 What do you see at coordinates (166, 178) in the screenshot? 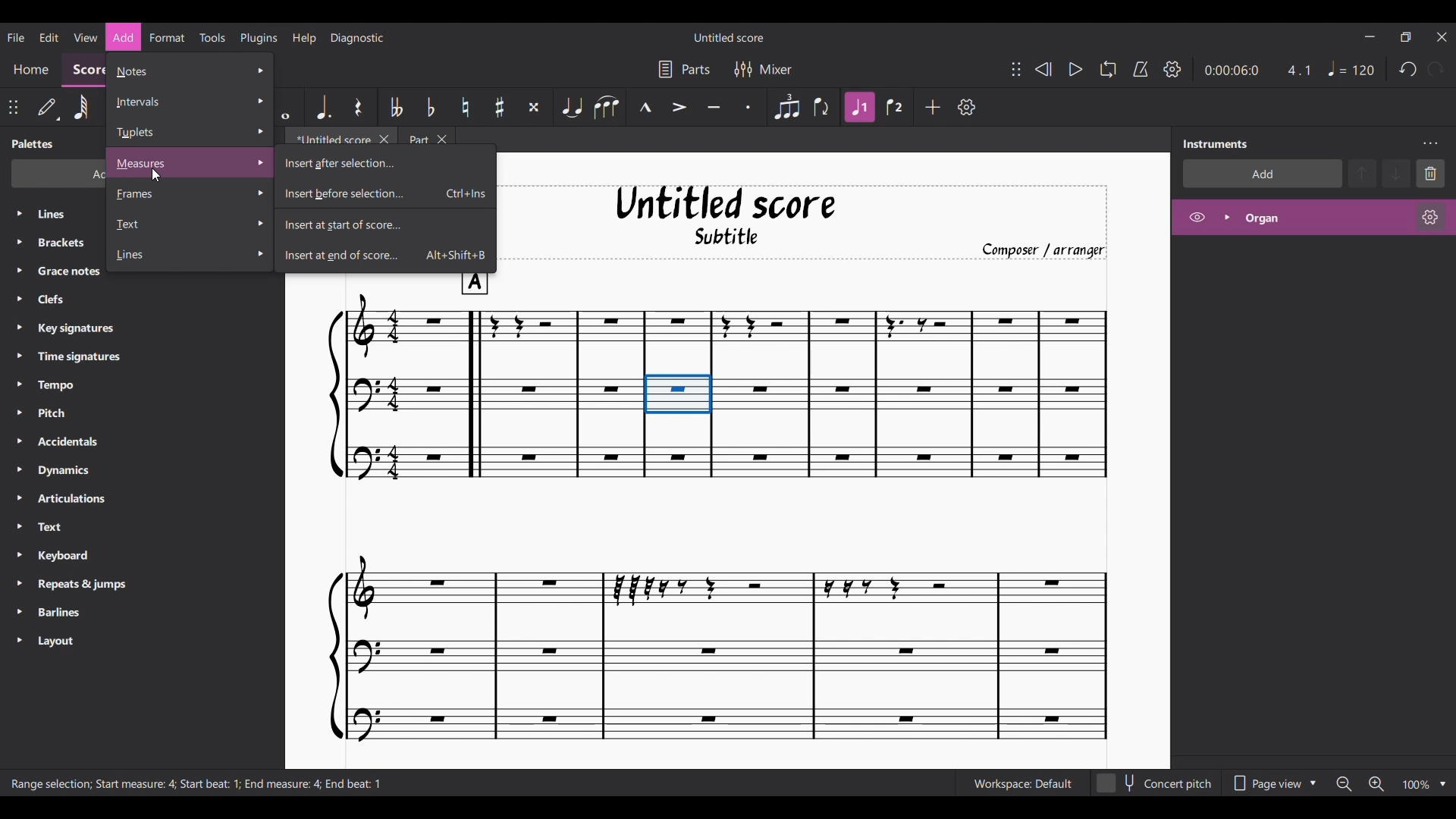
I see `cursor` at bounding box center [166, 178].